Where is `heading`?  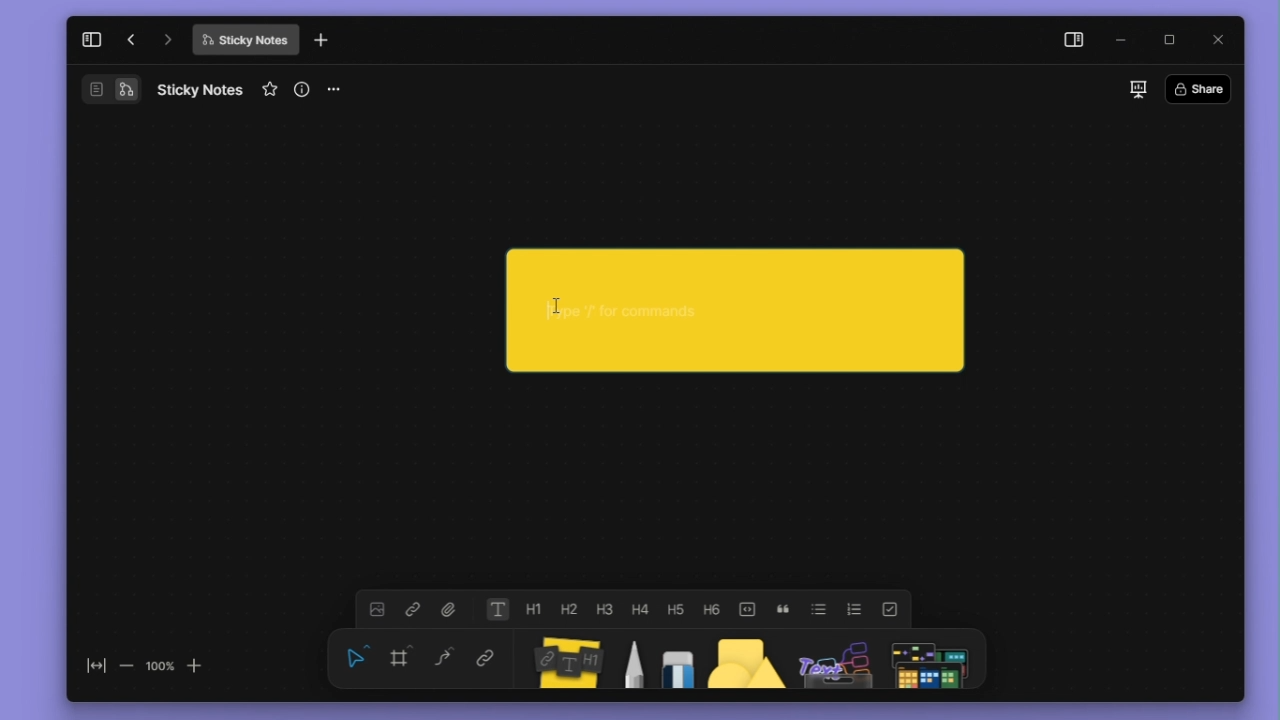 heading is located at coordinates (573, 609).